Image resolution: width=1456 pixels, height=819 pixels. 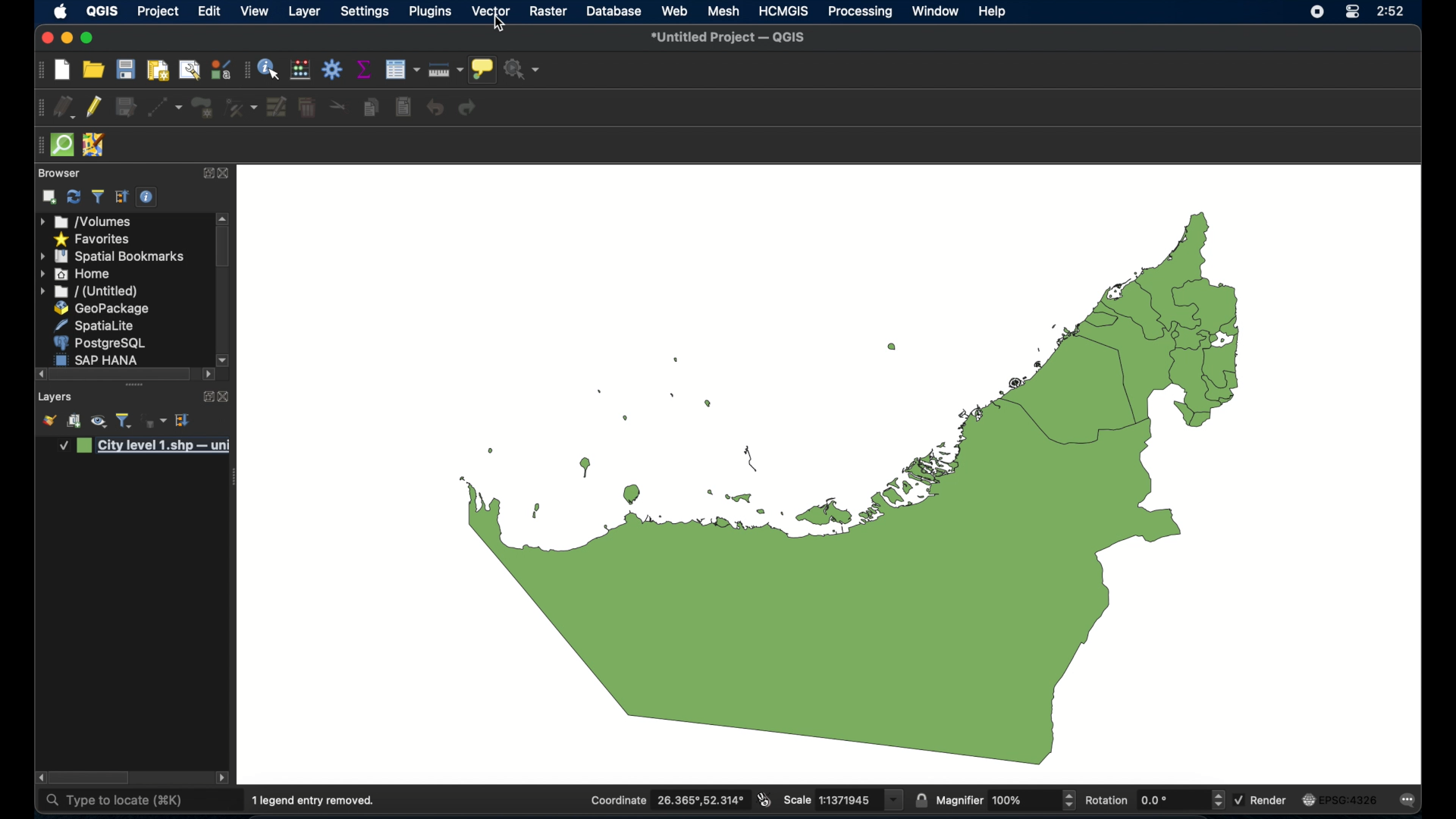 I want to click on drag handle, so click(x=38, y=145).